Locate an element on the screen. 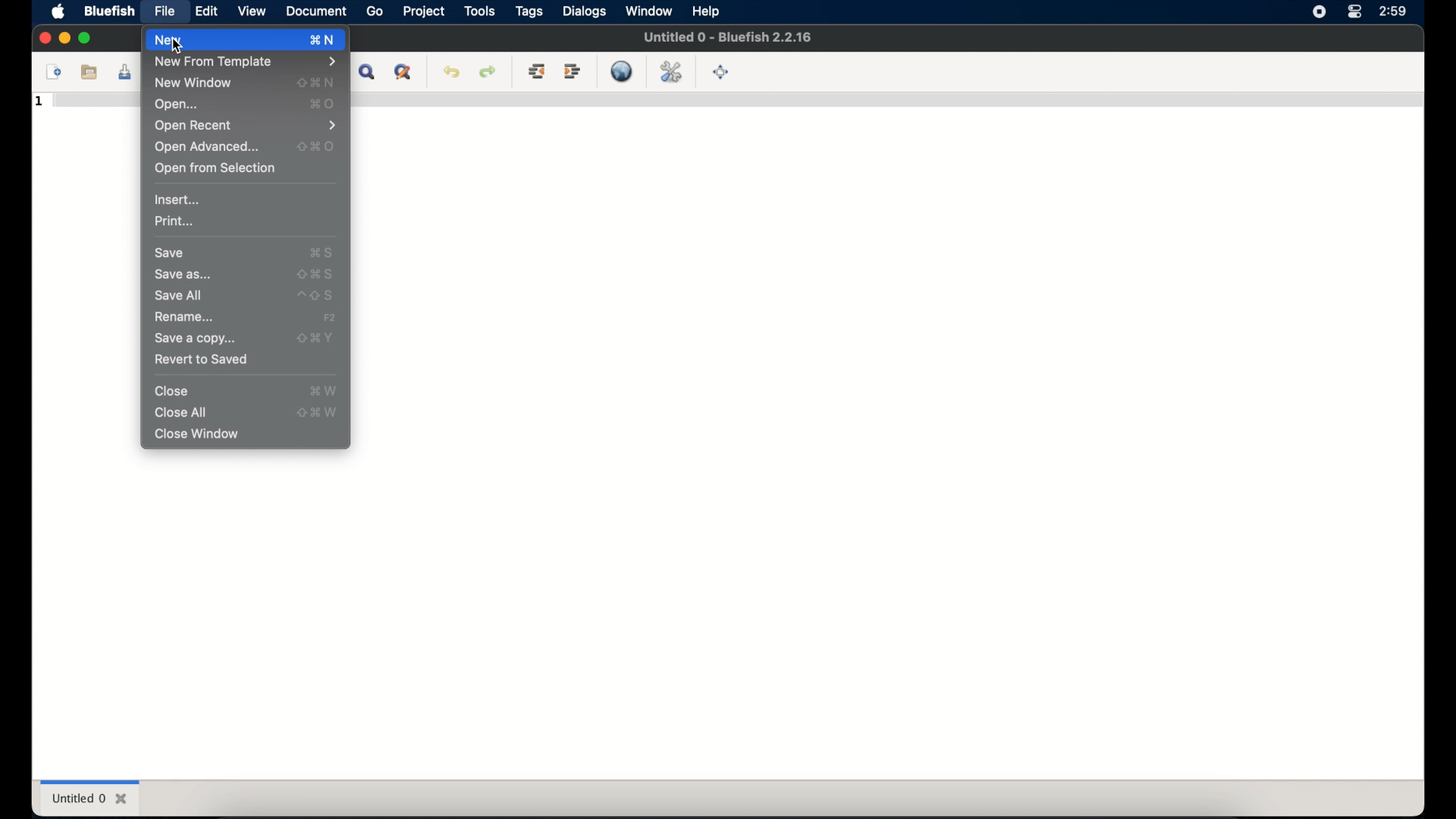  document is located at coordinates (315, 11).